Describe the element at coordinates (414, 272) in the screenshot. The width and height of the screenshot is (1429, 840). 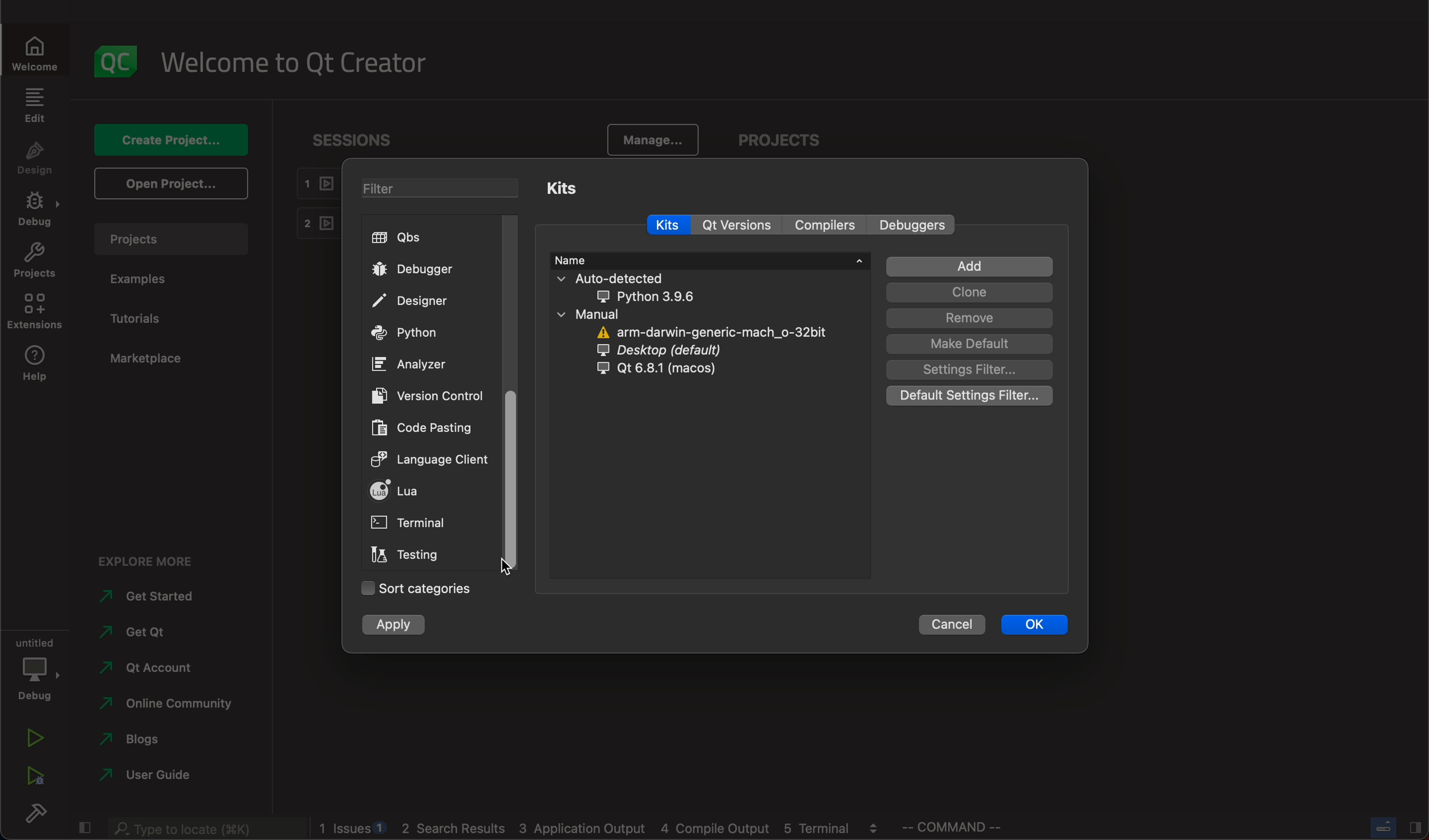
I see `debugger` at that location.